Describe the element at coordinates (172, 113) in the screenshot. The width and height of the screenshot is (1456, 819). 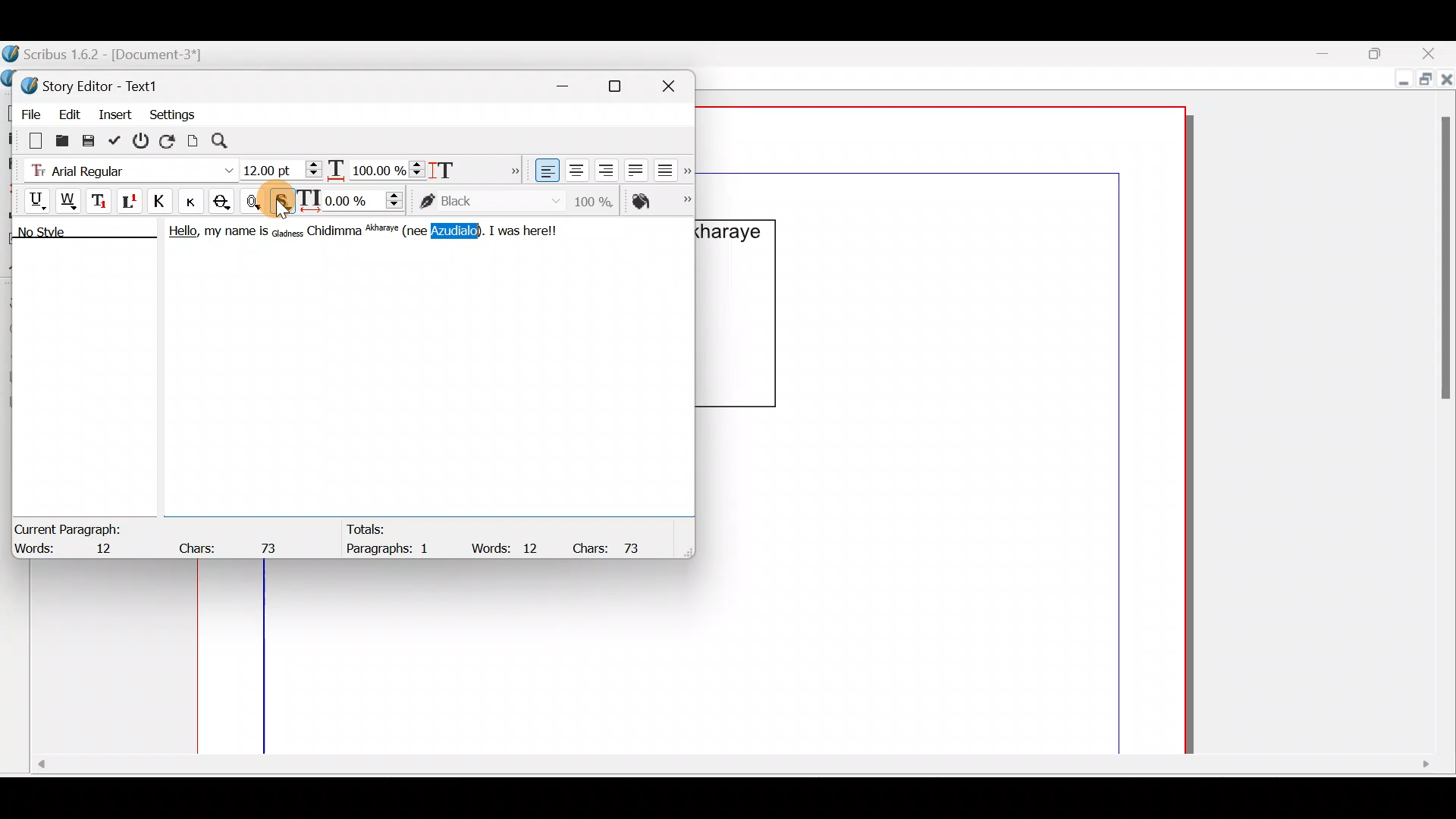
I see `Settings` at that location.